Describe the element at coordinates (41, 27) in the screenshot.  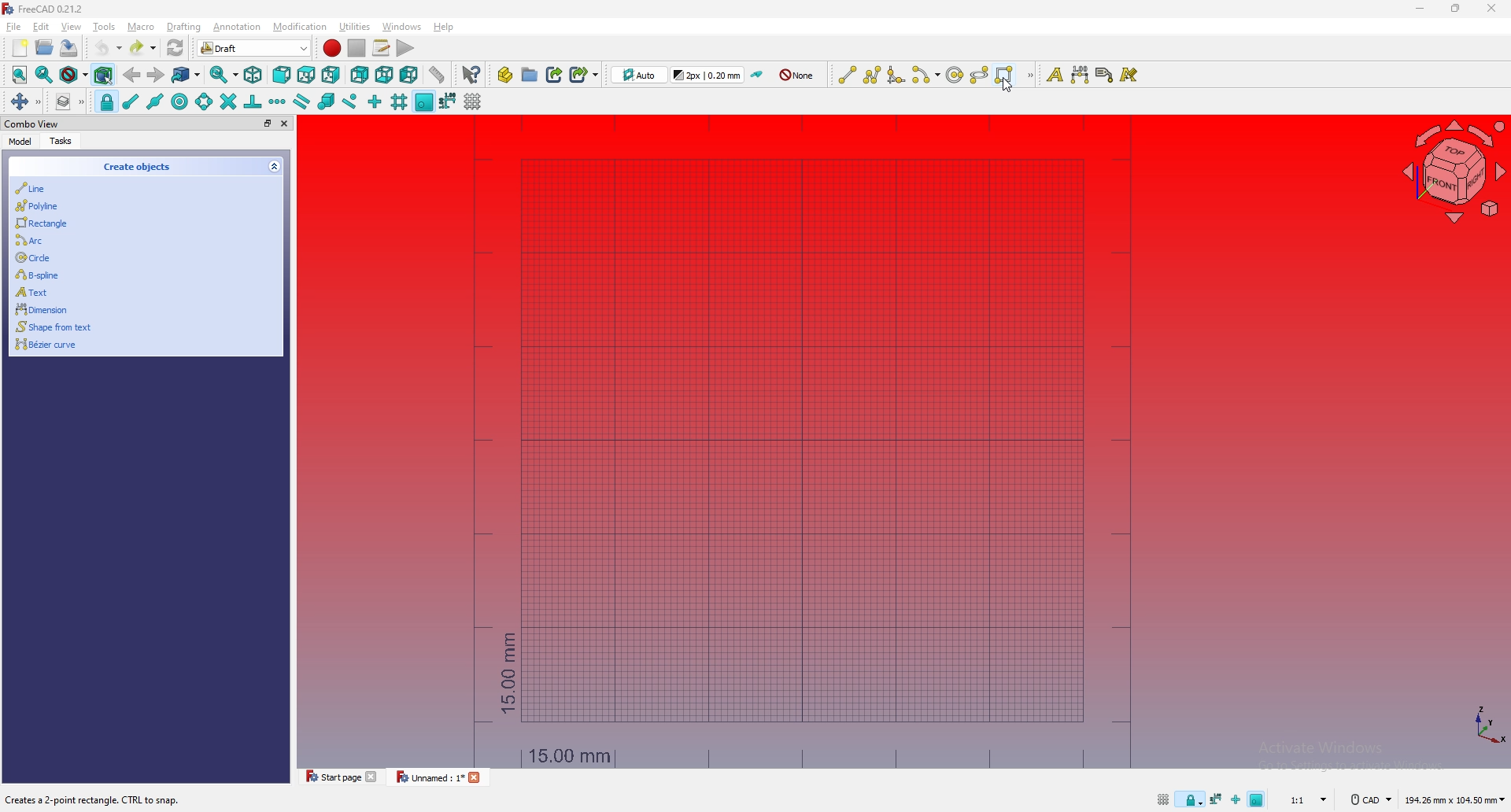
I see `edit` at that location.